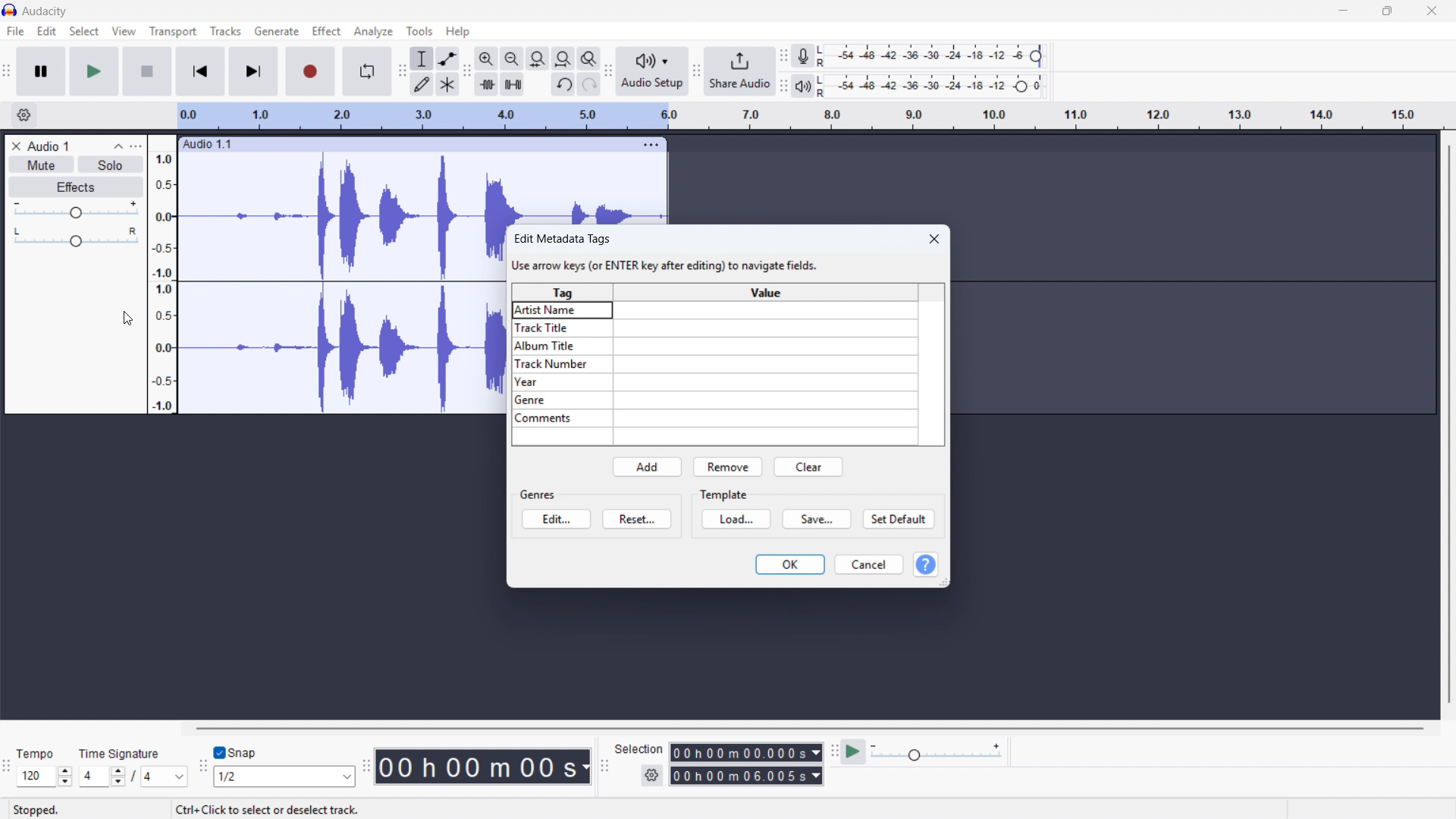 This screenshot has height=819, width=1456. What do you see at coordinates (40, 165) in the screenshot?
I see `mute` at bounding box center [40, 165].